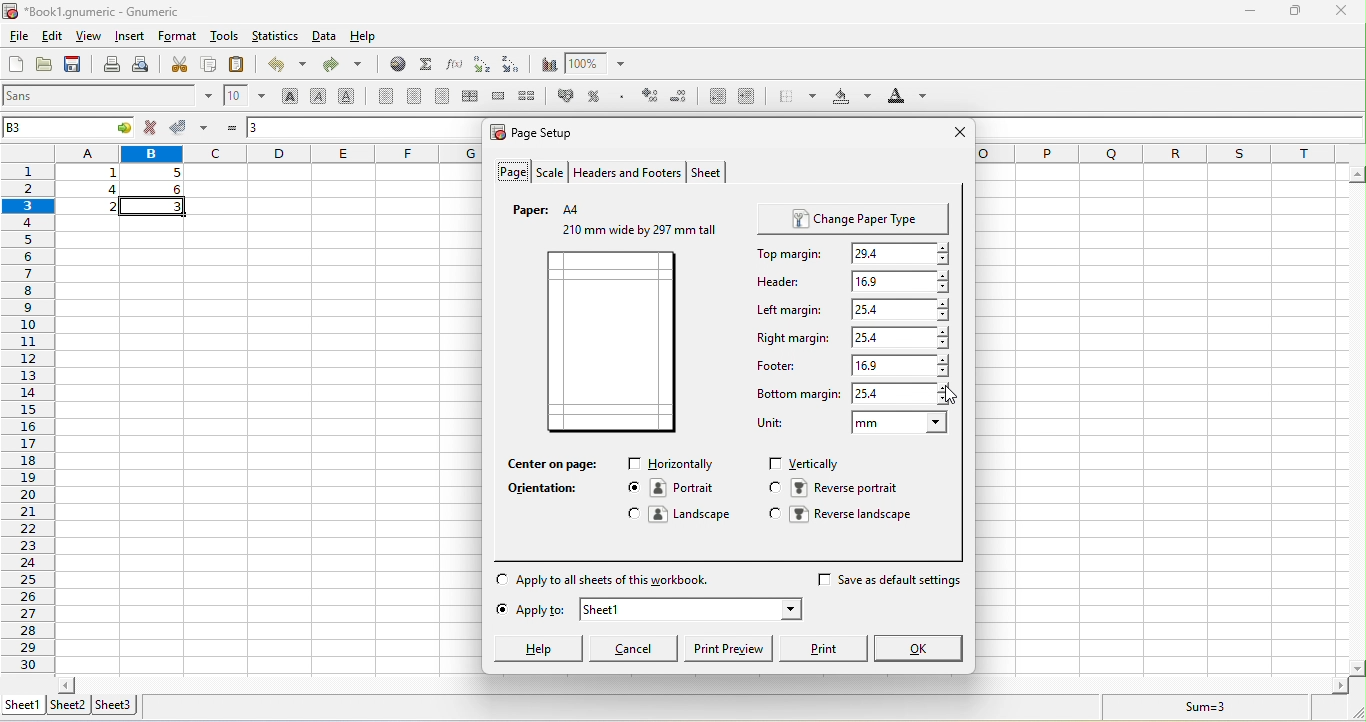 Image resolution: width=1366 pixels, height=722 pixels. What do you see at coordinates (634, 649) in the screenshot?
I see `cancel` at bounding box center [634, 649].